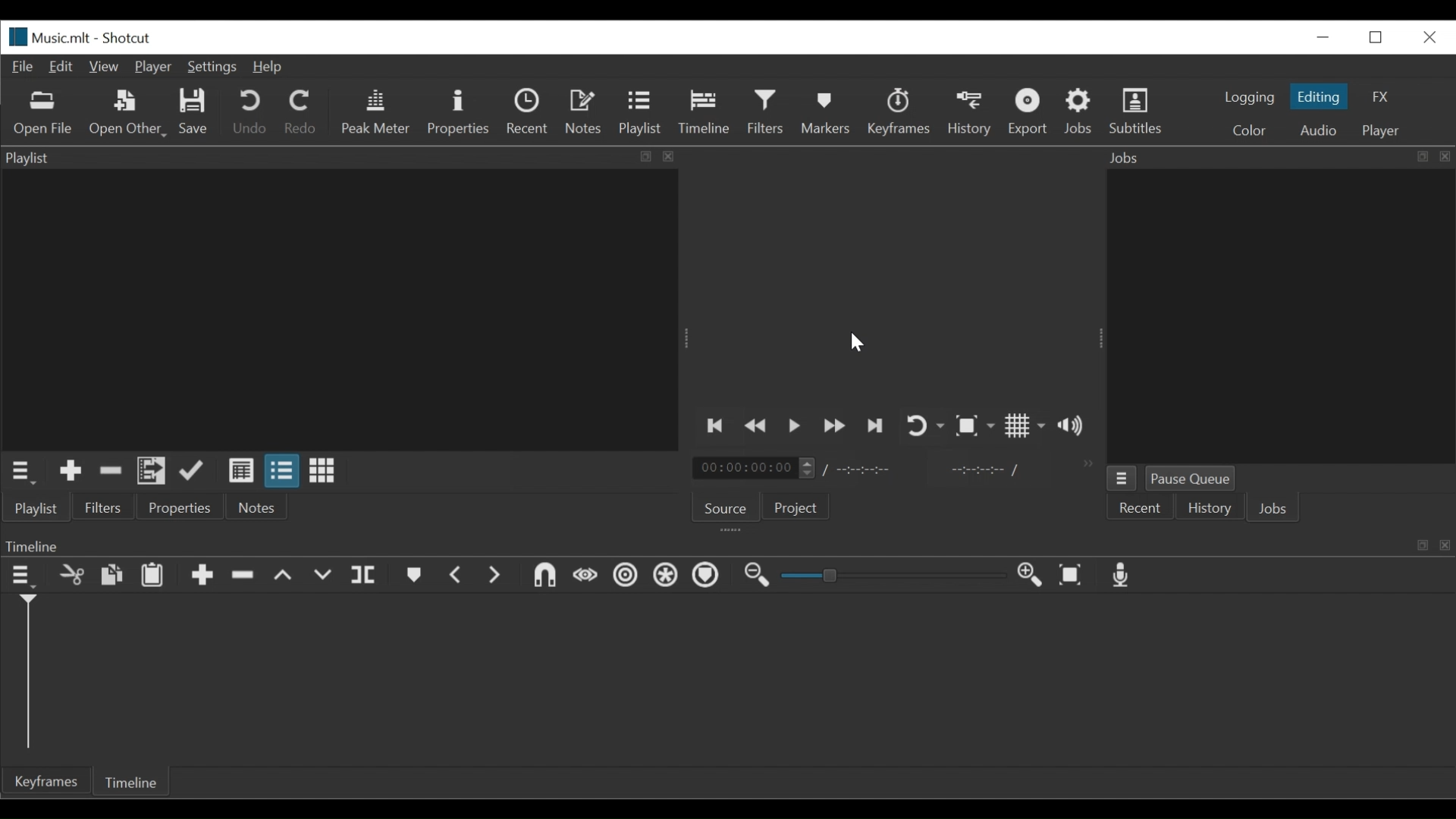  Describe the element at coordinates (1322, 37) in the screenshot. I see `minimize` at that location.